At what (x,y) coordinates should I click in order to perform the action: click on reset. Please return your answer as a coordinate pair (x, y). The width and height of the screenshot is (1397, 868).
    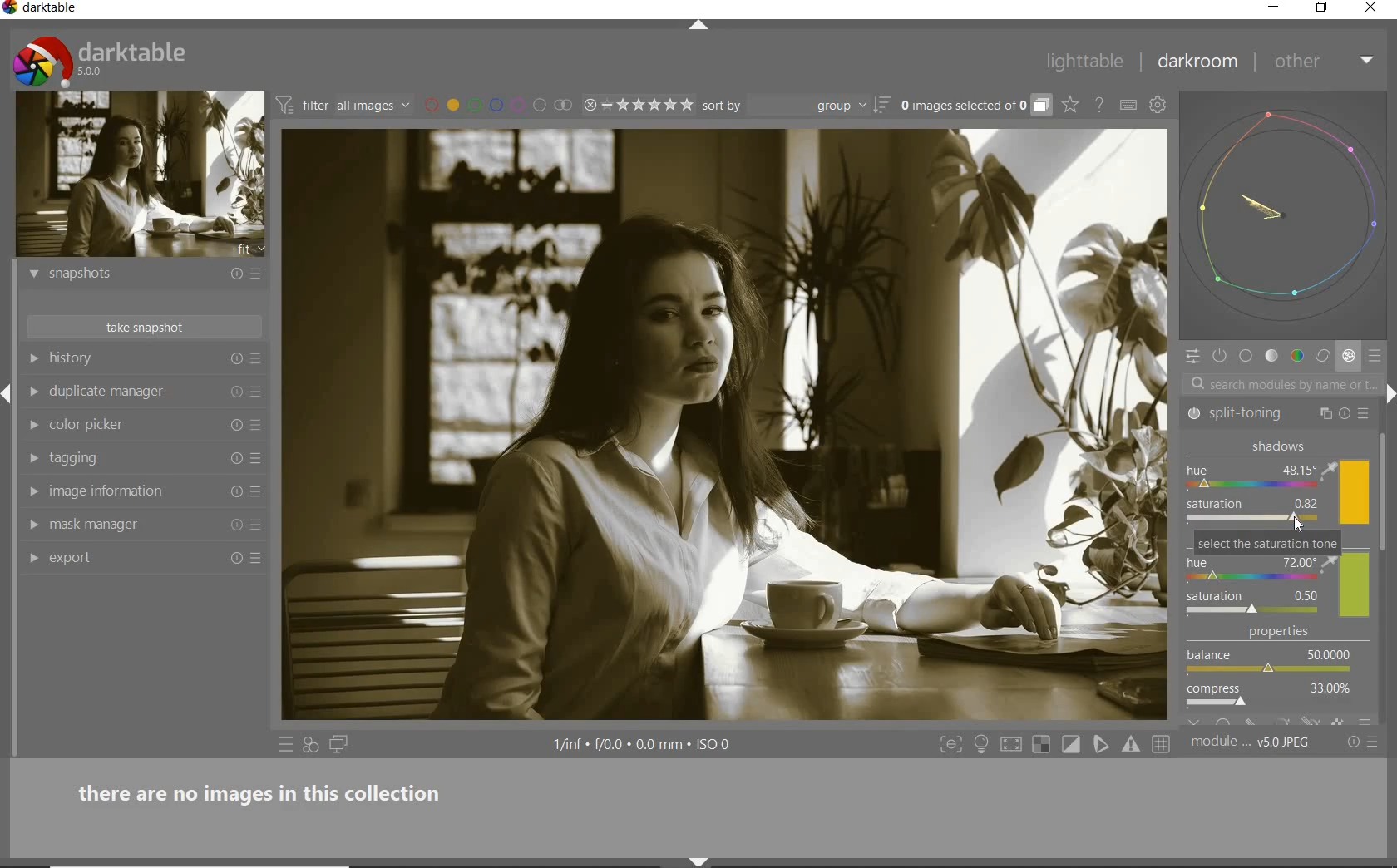
    Looking at the image, I should click on (236, 360).